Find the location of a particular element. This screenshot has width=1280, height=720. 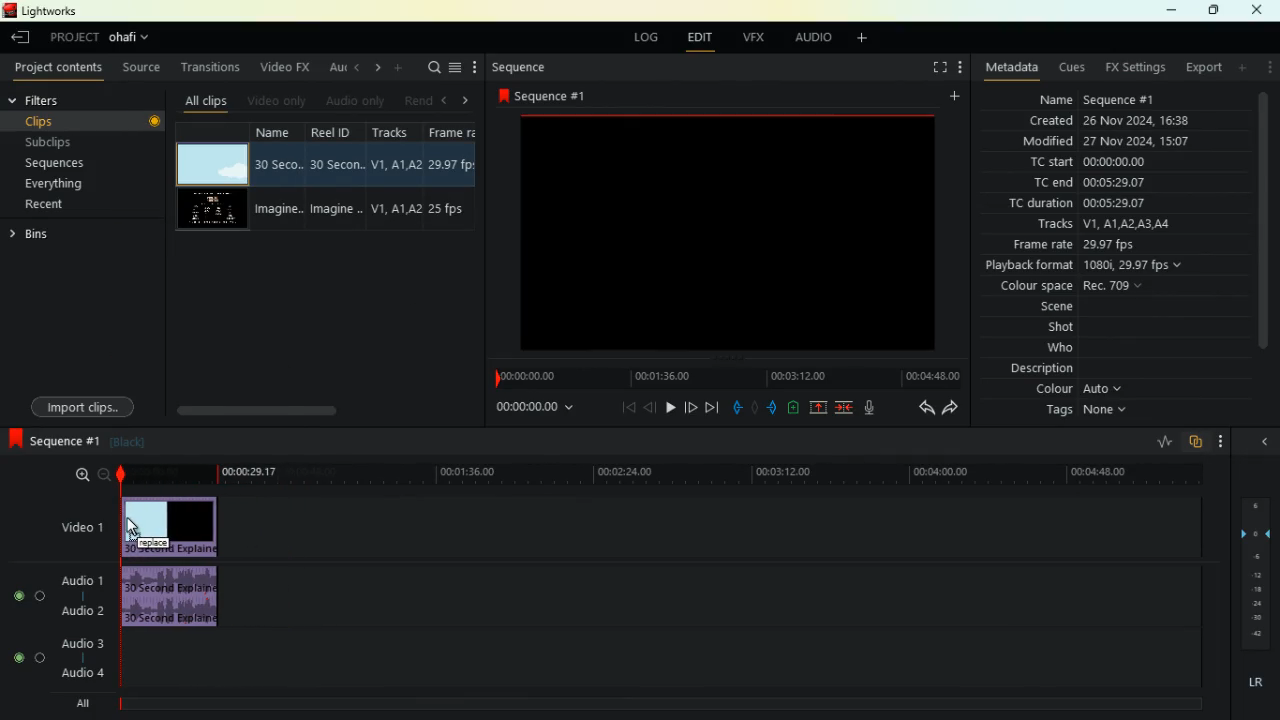

pull is located at coordinates (736, 409).